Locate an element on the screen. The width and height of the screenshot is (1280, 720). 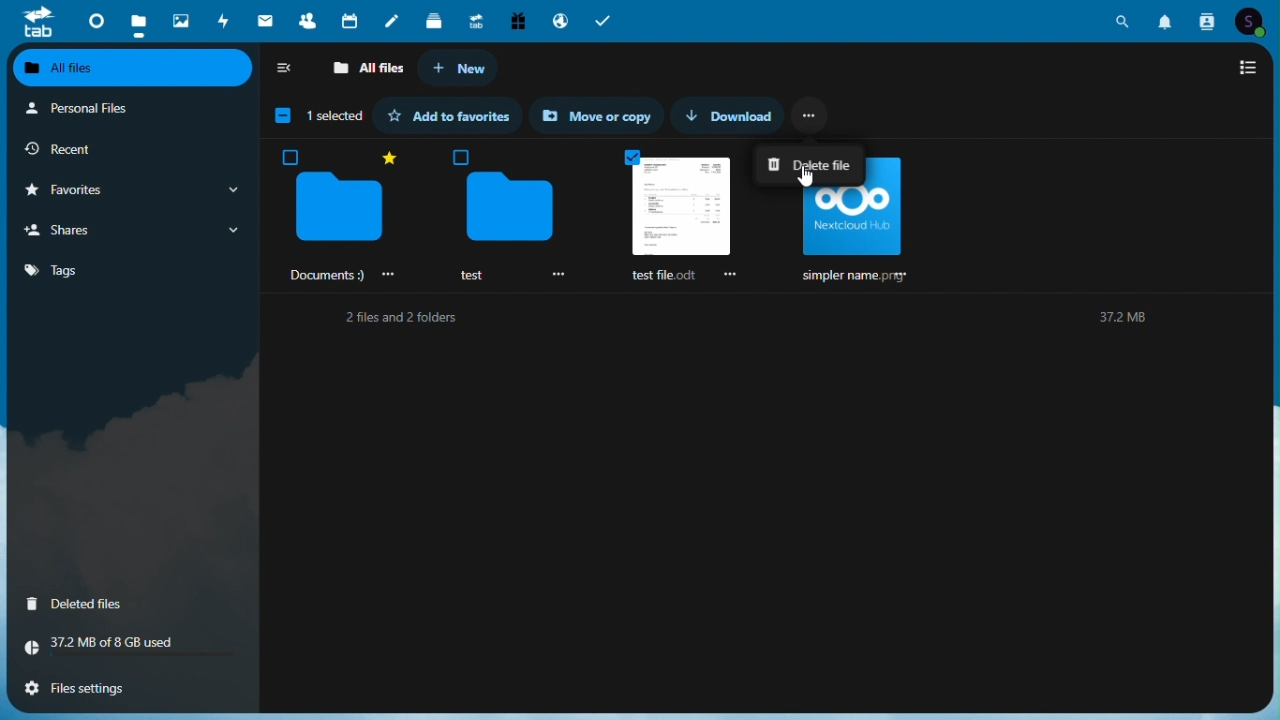
Move or copy is located at coordinates (597, 116).